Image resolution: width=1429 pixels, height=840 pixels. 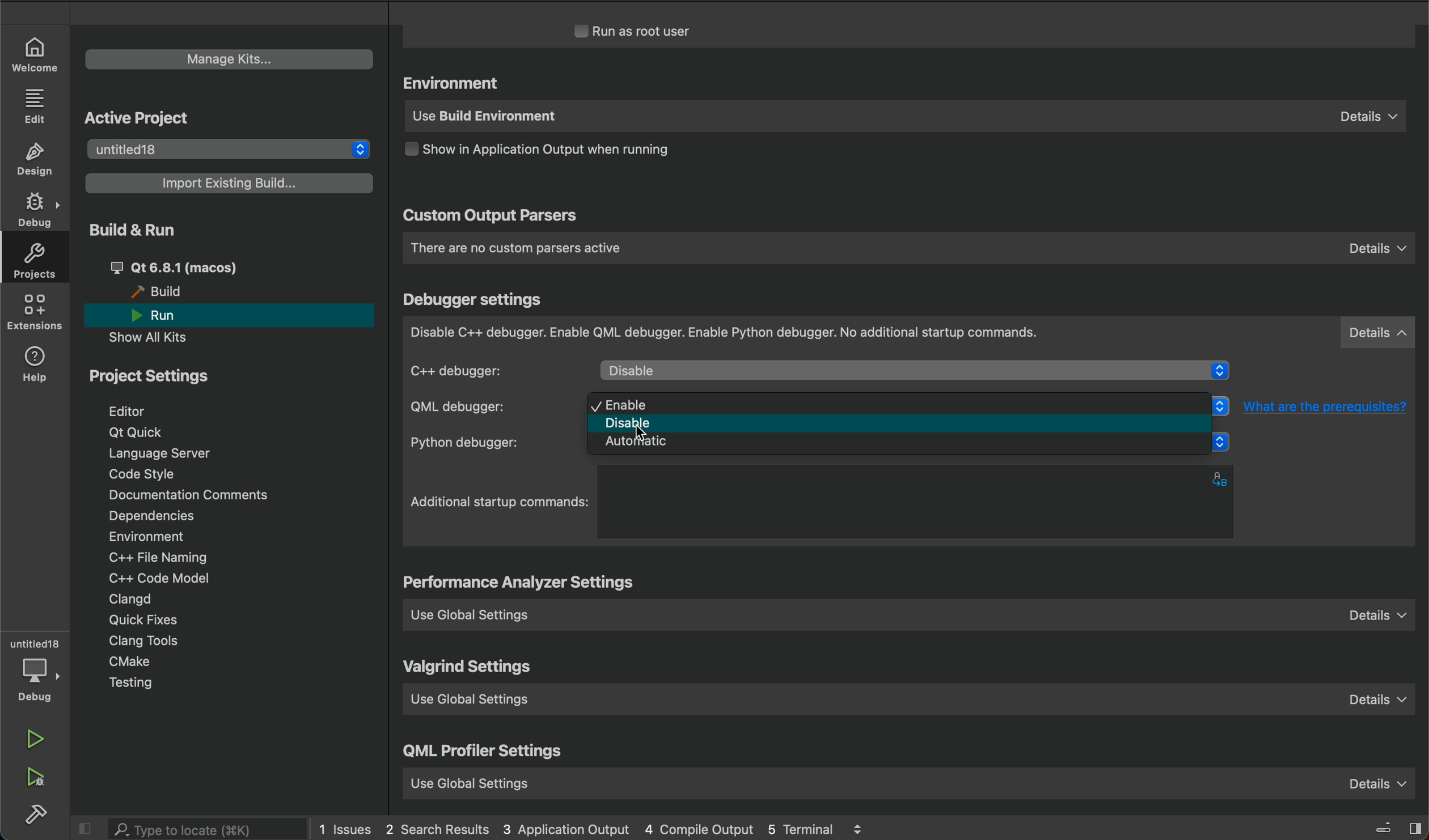 I want to click on python debugger, so click(x=492, y=443).